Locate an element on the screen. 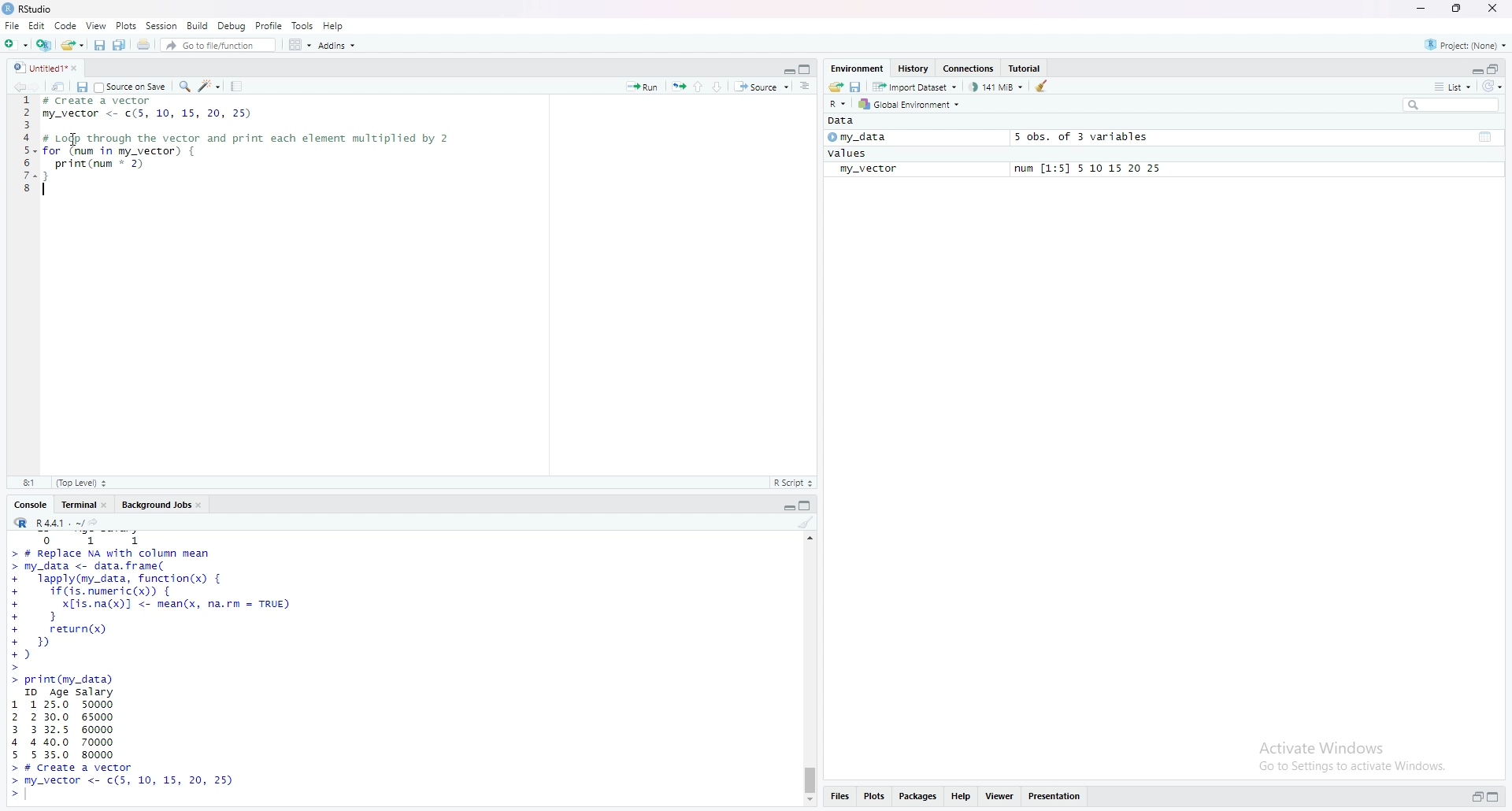 Image resolution: width=1512 pixels, height=811 pixels. go forward is located at coordinates (39, 87).